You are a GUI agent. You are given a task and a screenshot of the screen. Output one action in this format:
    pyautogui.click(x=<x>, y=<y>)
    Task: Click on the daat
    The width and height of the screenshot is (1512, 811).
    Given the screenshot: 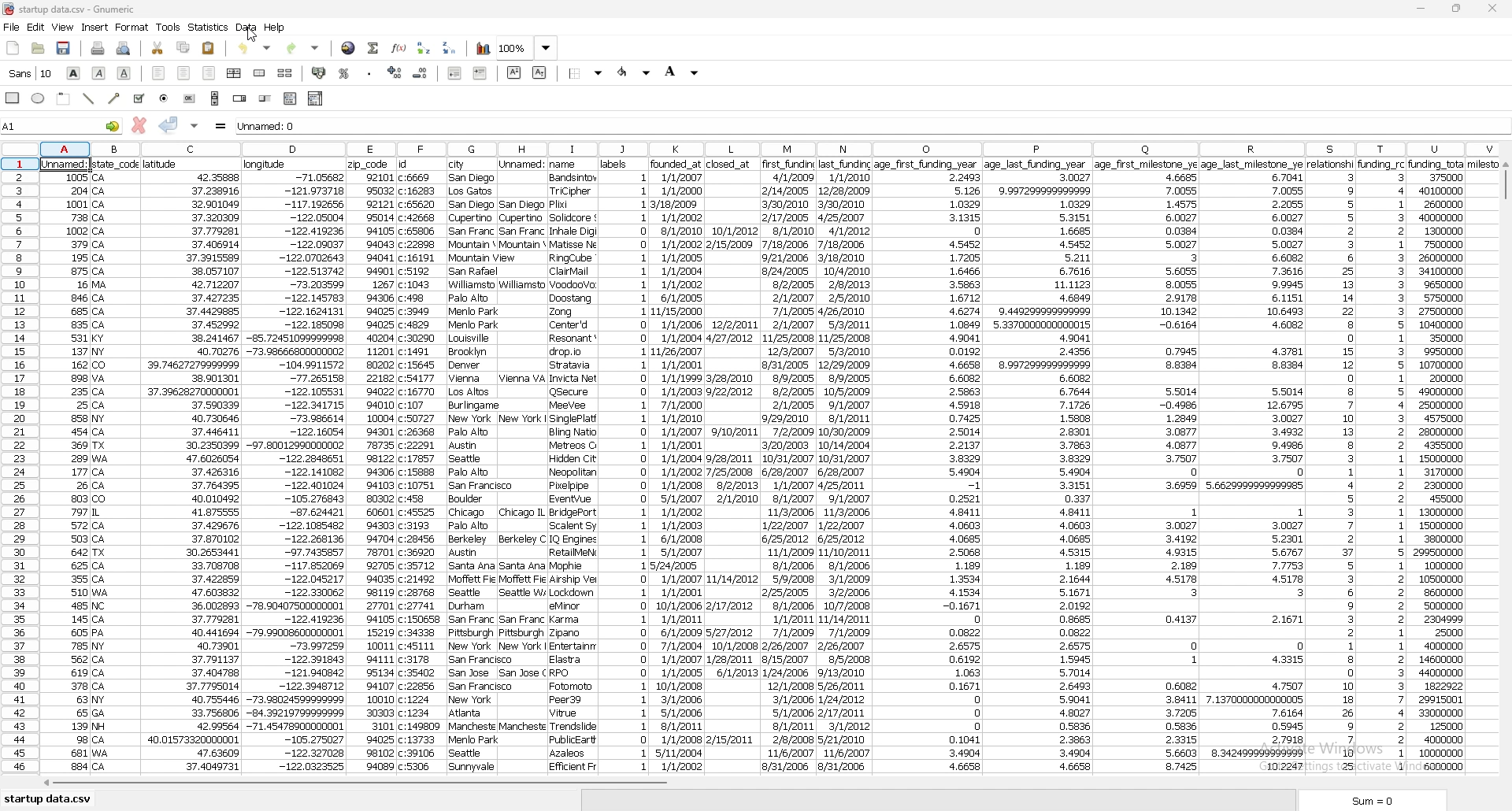 What is the action you would take?
    pyautogui.click(x=1254, y=465)
    